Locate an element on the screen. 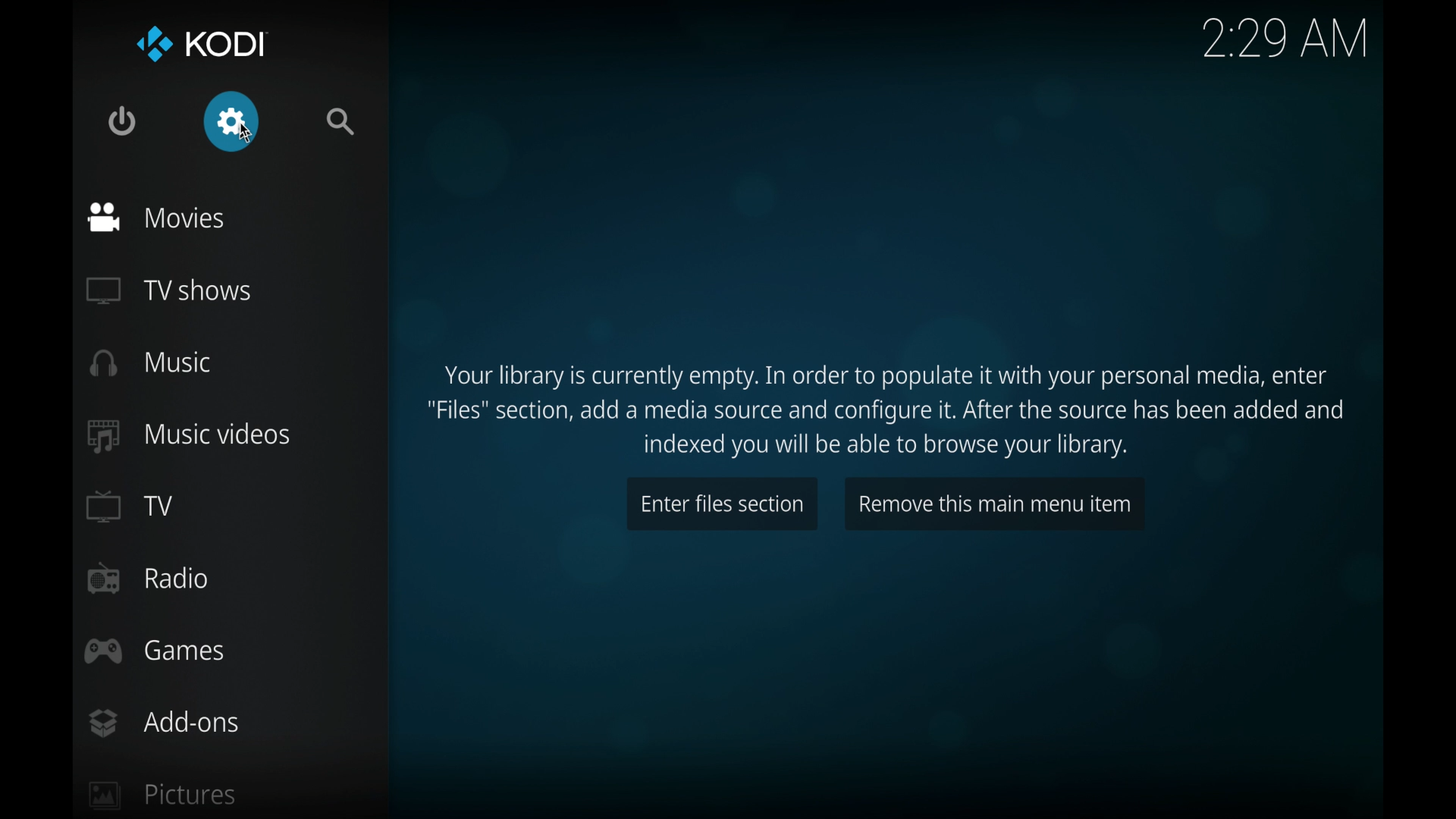 This screenshot has height=819, width=1456. search is located at coordinates (342, 121).